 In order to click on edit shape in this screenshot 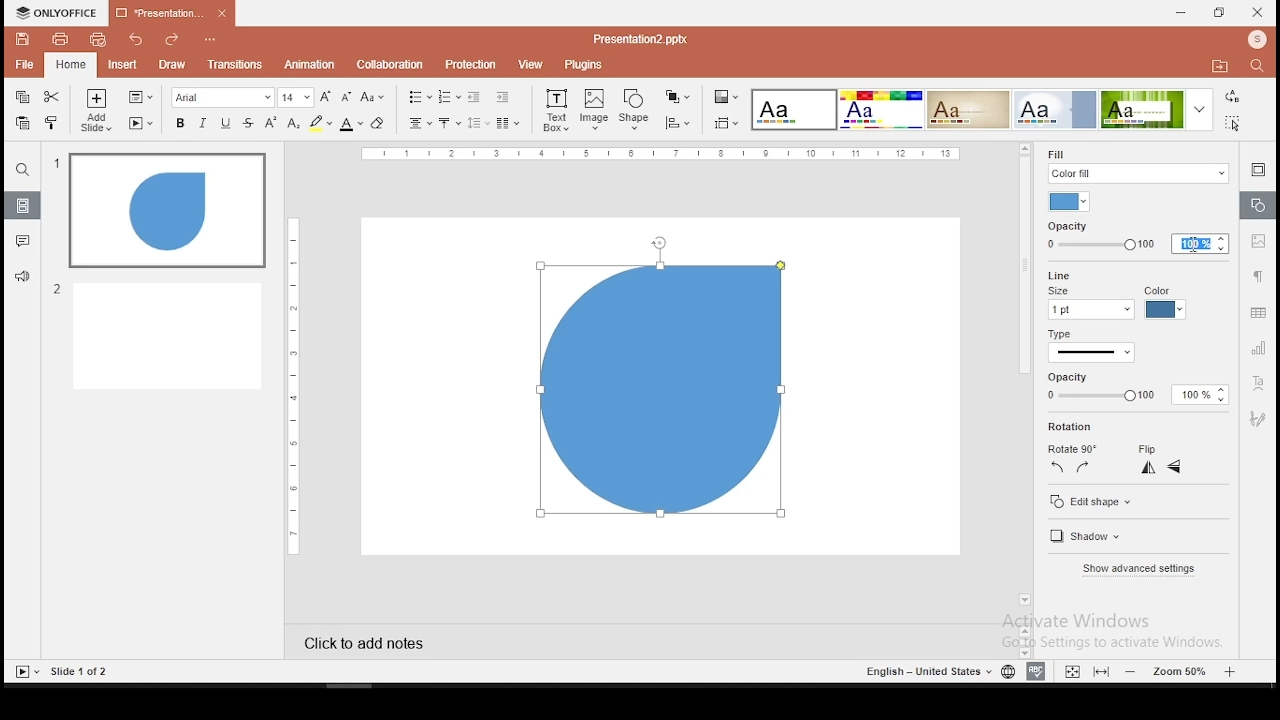, I will do `click(1092, 503)`.